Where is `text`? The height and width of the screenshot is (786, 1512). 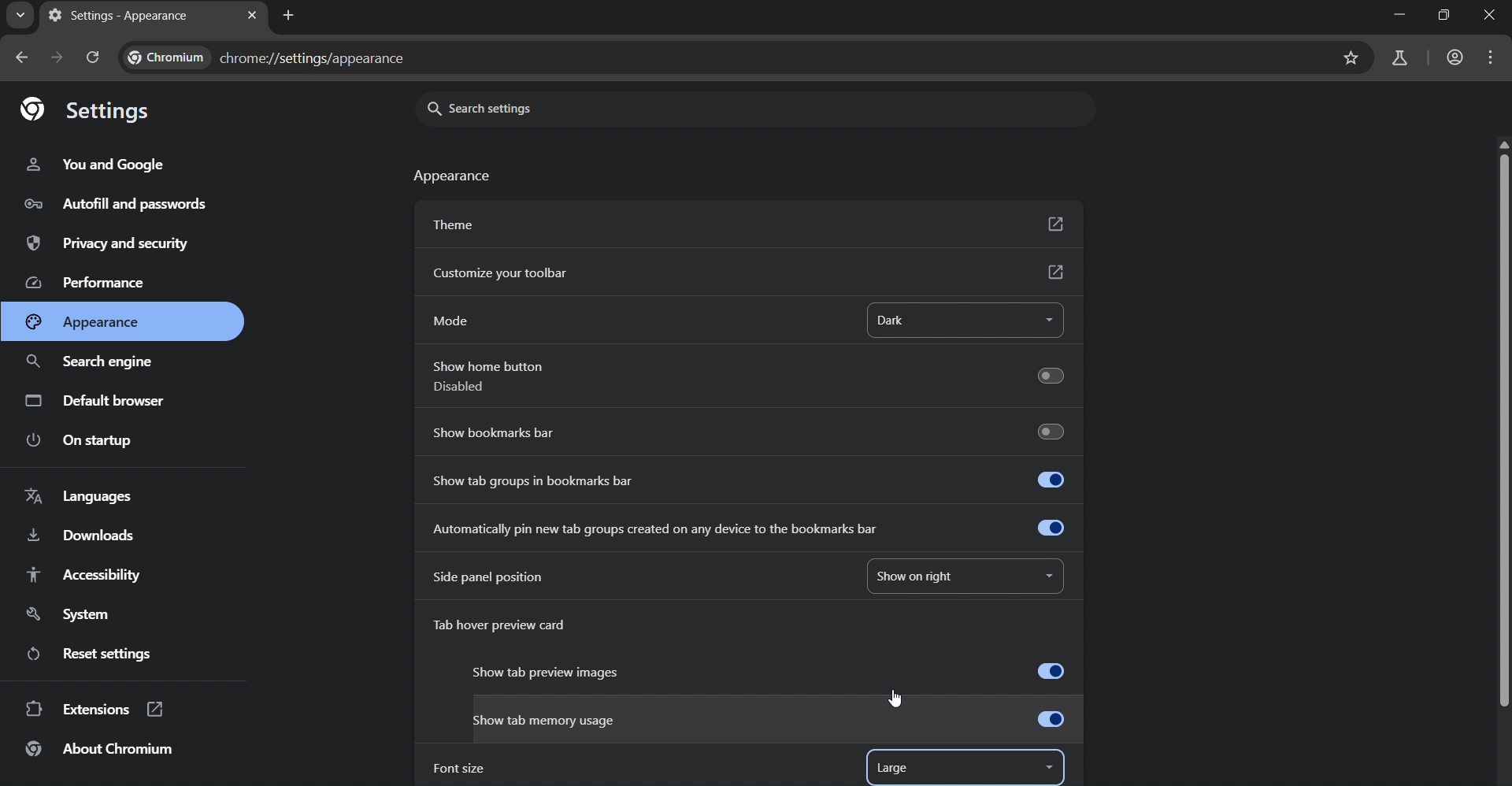
text is located at coordinates (455, 178).